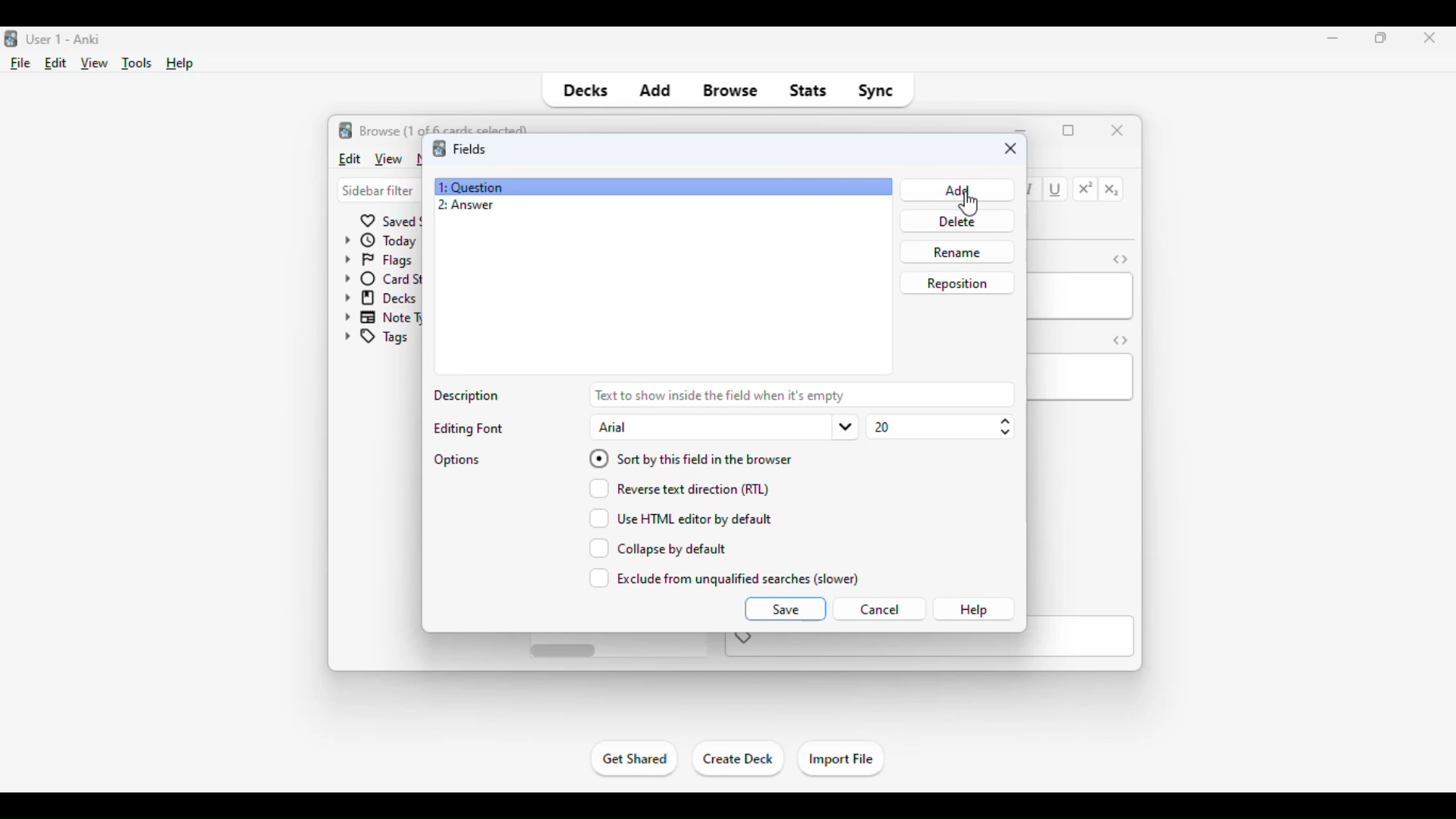 The height and width of the screenshot is (819, 1456). I want to click on import file, so click(840, 760).